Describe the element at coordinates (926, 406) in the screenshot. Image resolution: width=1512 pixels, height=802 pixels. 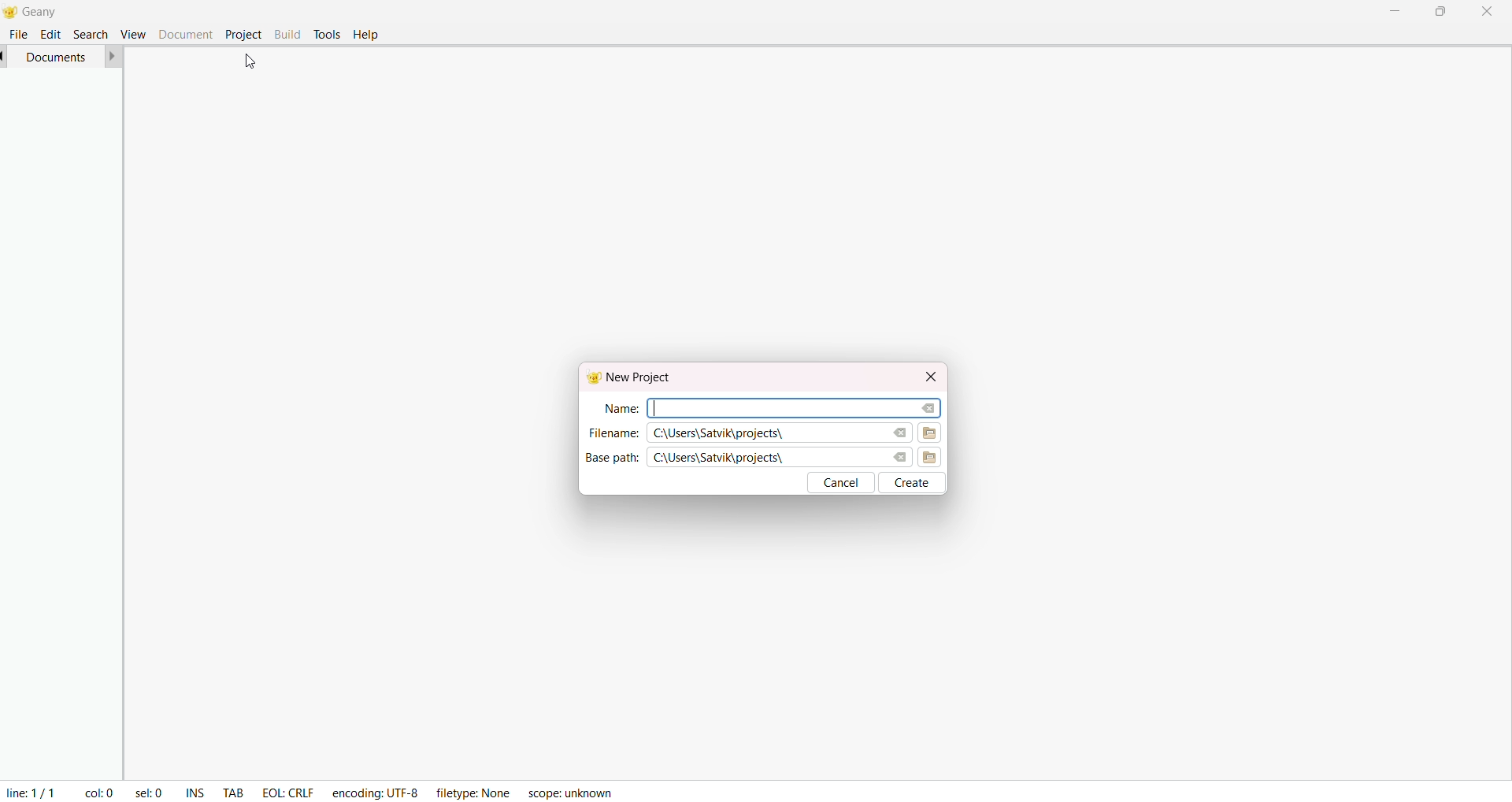
I see `clear file name` at that location.